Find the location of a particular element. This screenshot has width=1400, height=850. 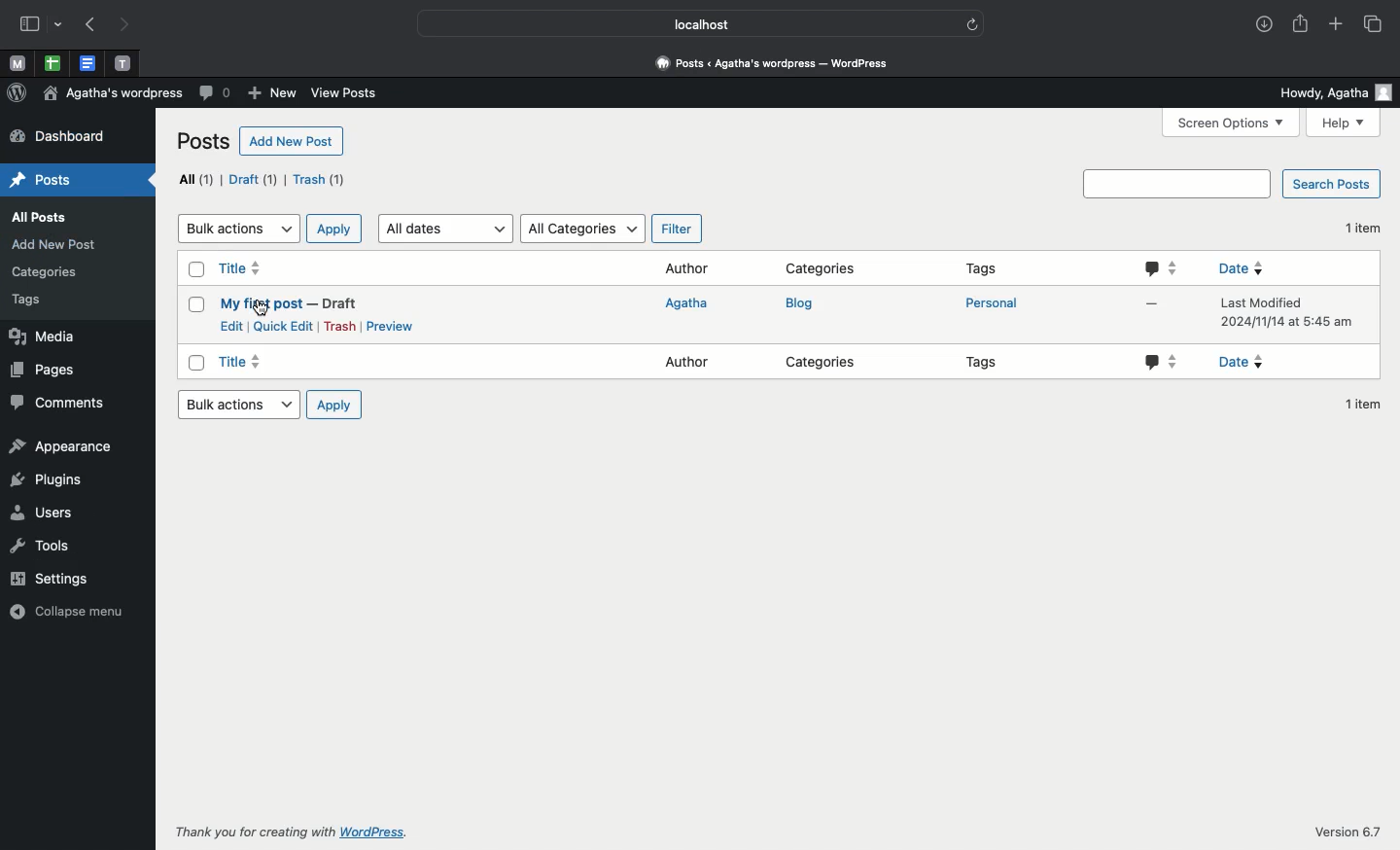

Plugins is located at coordinates (51, 480).